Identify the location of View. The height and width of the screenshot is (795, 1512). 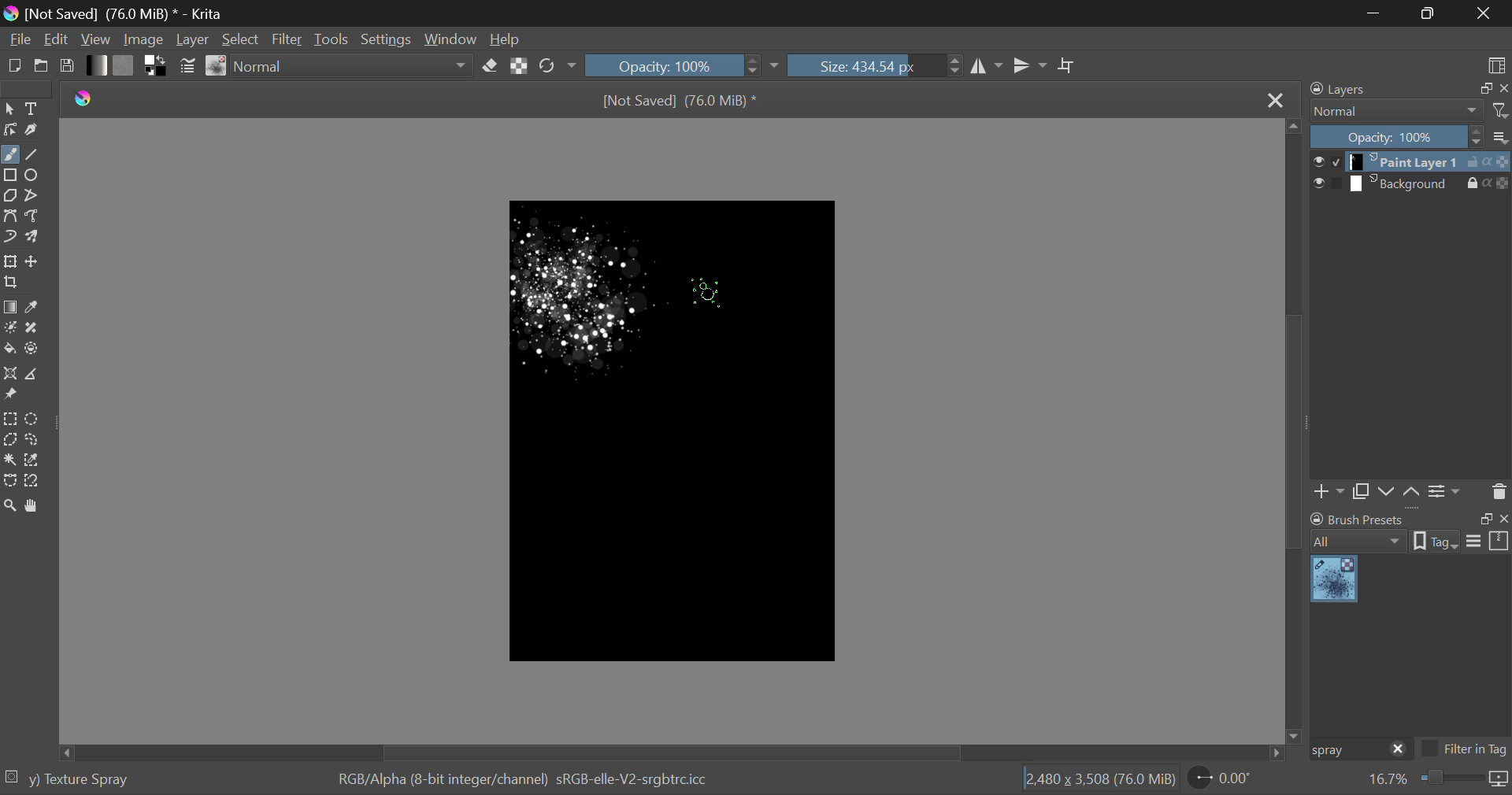
(98, 39).